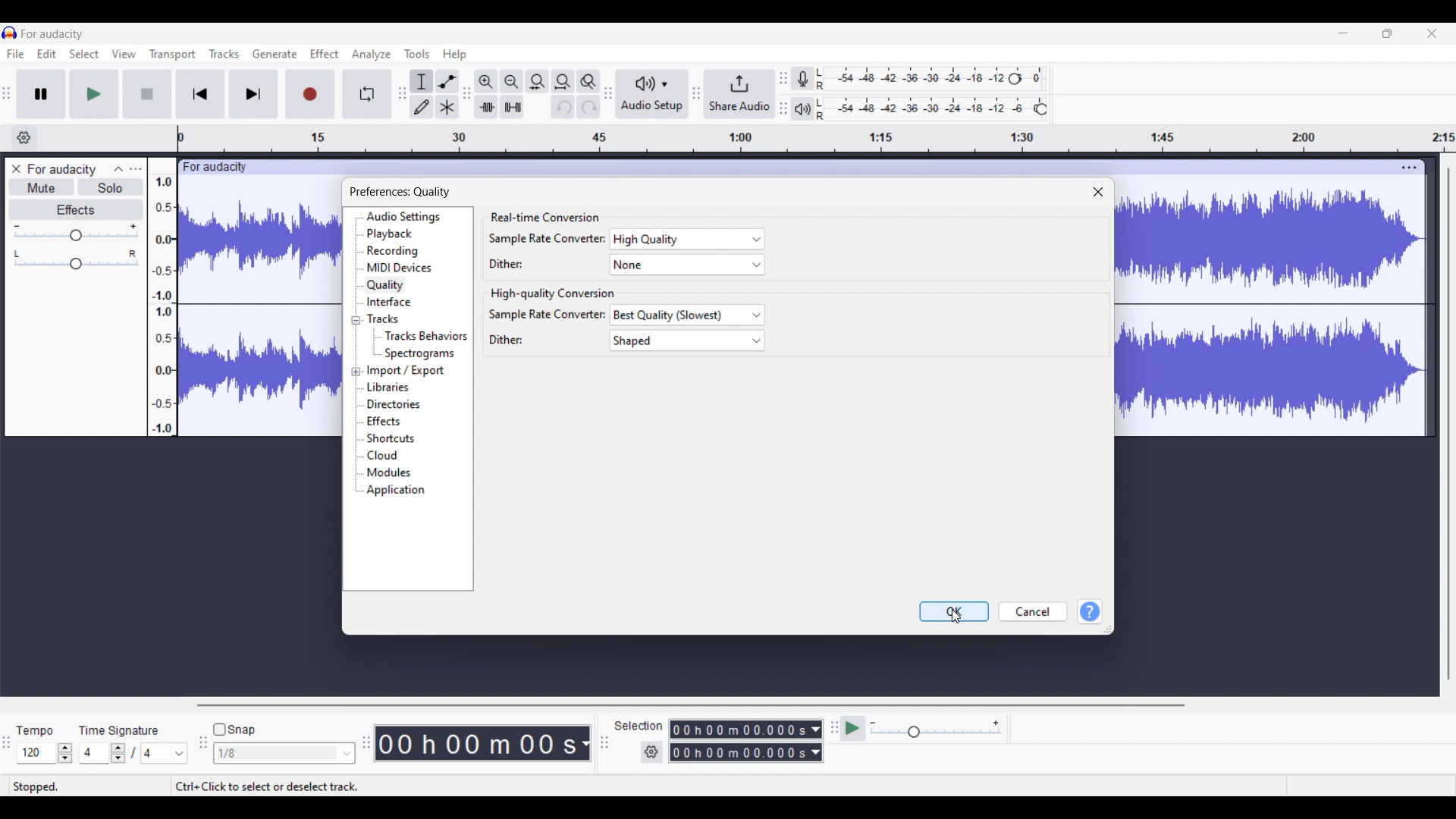 The height and width of the screenshot is (819, 1456). Describe the element at coordinates (324, 54) in the screenshot. I see `Effect menu` at that location.